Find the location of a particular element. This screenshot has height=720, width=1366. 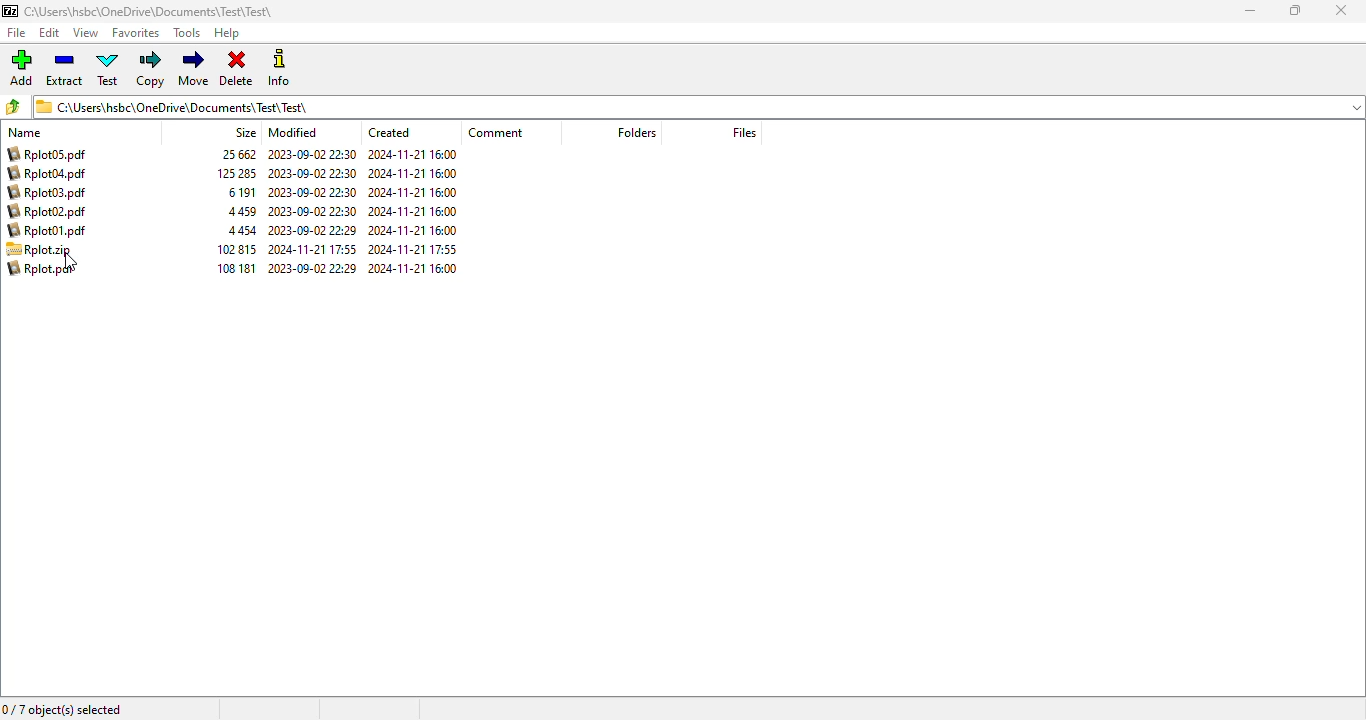

created is located at coordinates (389, 132).